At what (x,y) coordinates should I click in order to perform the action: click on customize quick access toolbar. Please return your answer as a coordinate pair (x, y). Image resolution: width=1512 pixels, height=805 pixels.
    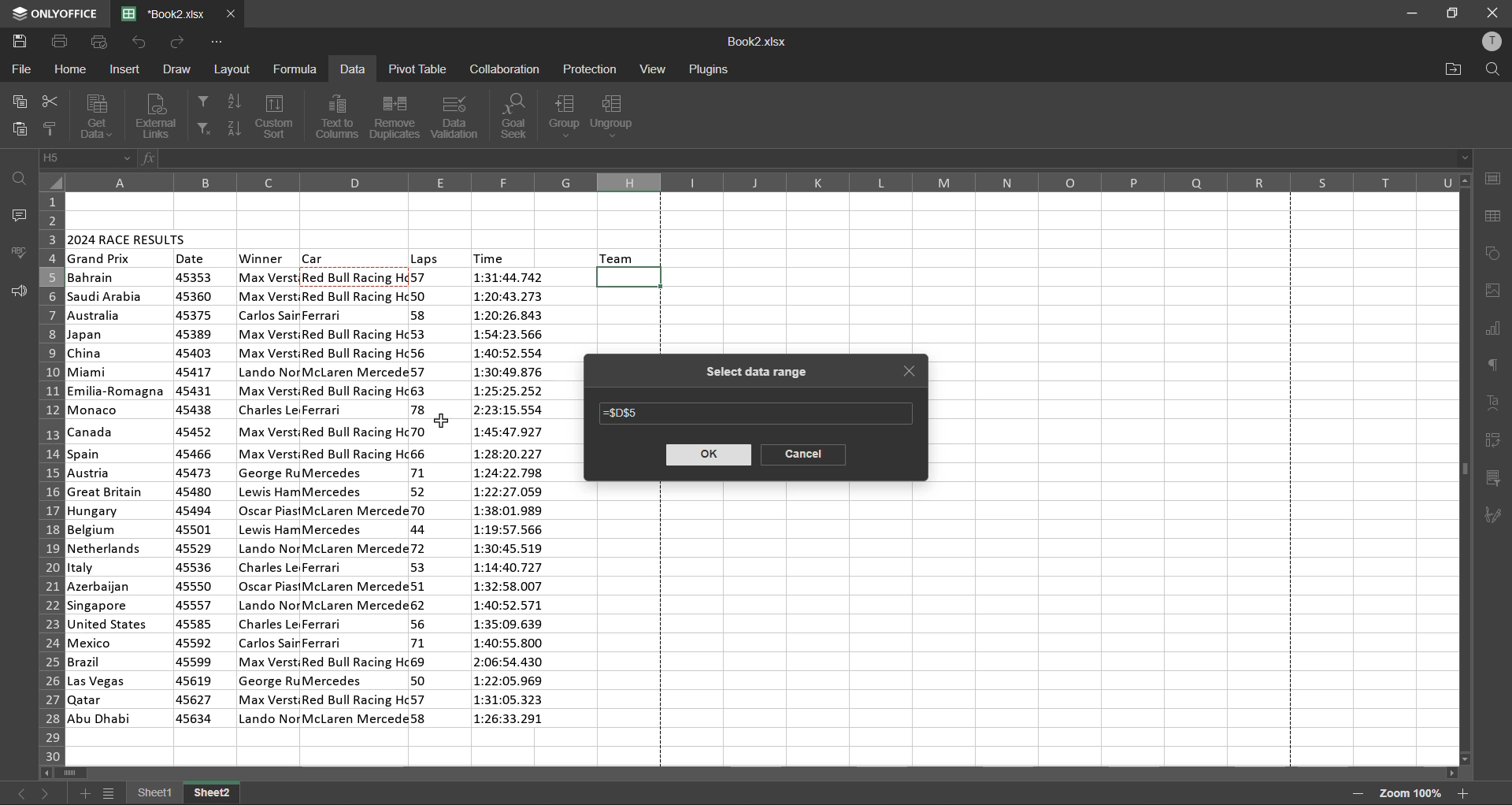
    Looking at the image, I should click on (215, 43).